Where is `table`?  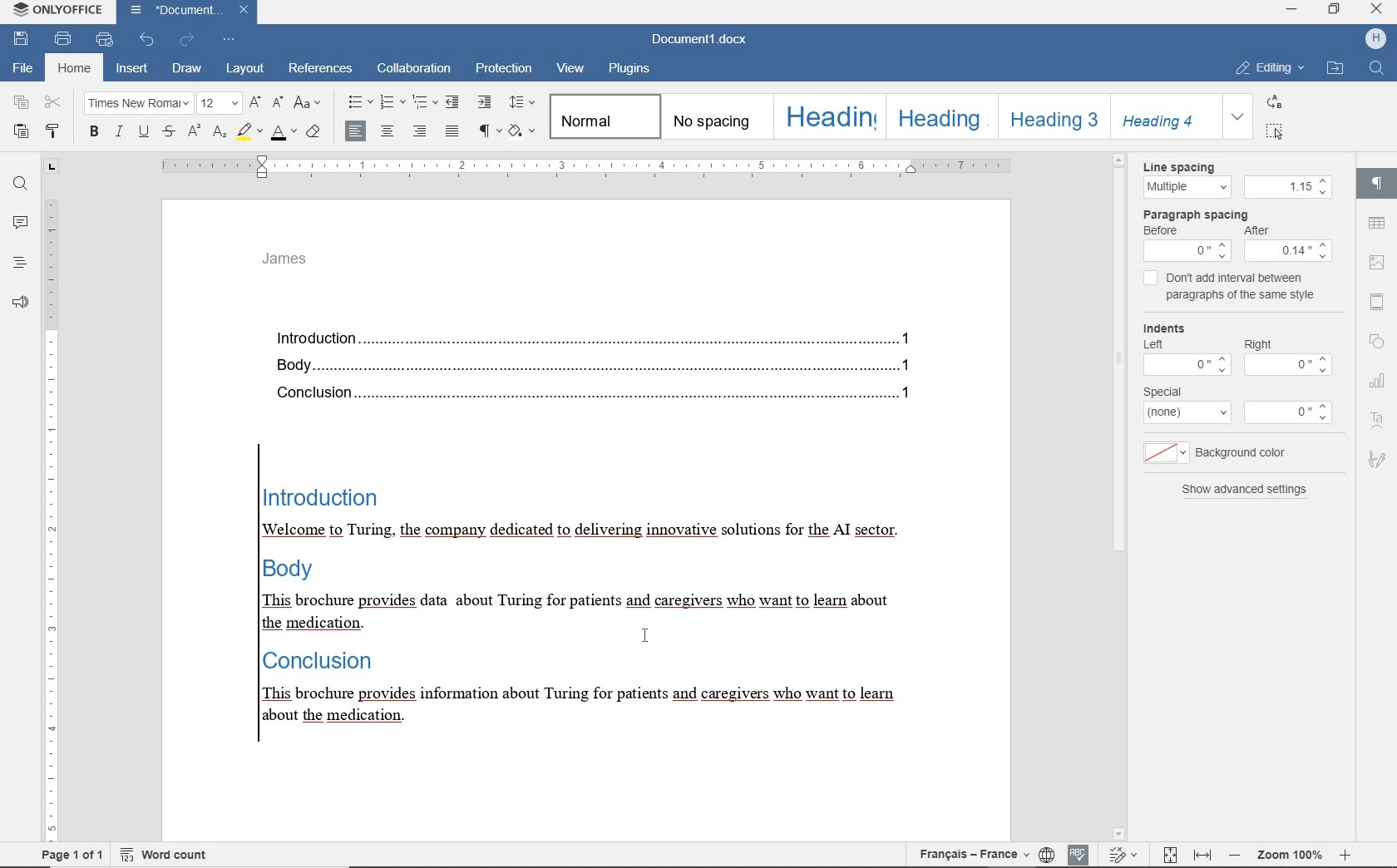
table is located at coordinates (1377, 225).